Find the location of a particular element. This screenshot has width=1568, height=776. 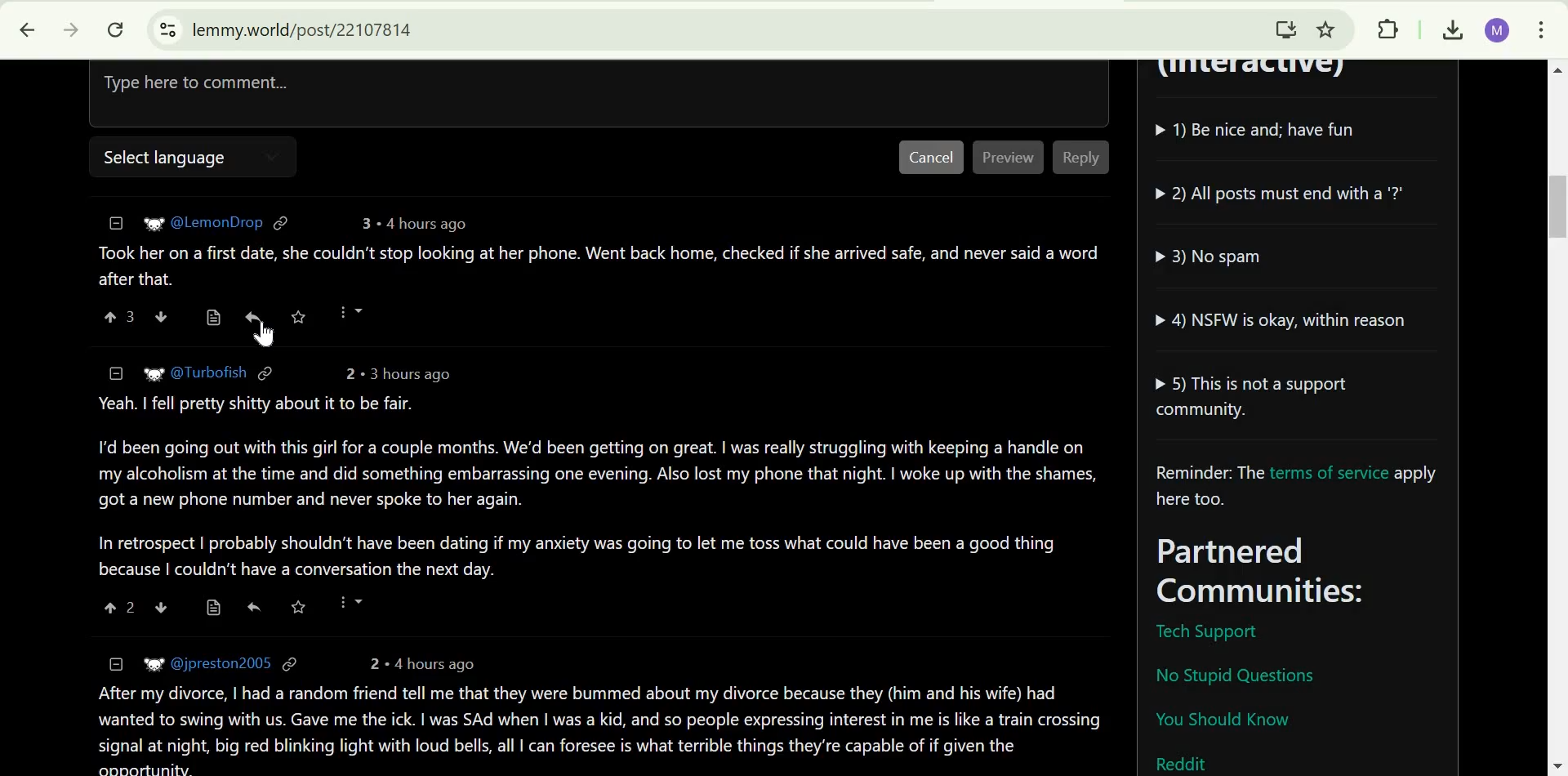

Bookmark this tab is located at coordinates (1327, 27).